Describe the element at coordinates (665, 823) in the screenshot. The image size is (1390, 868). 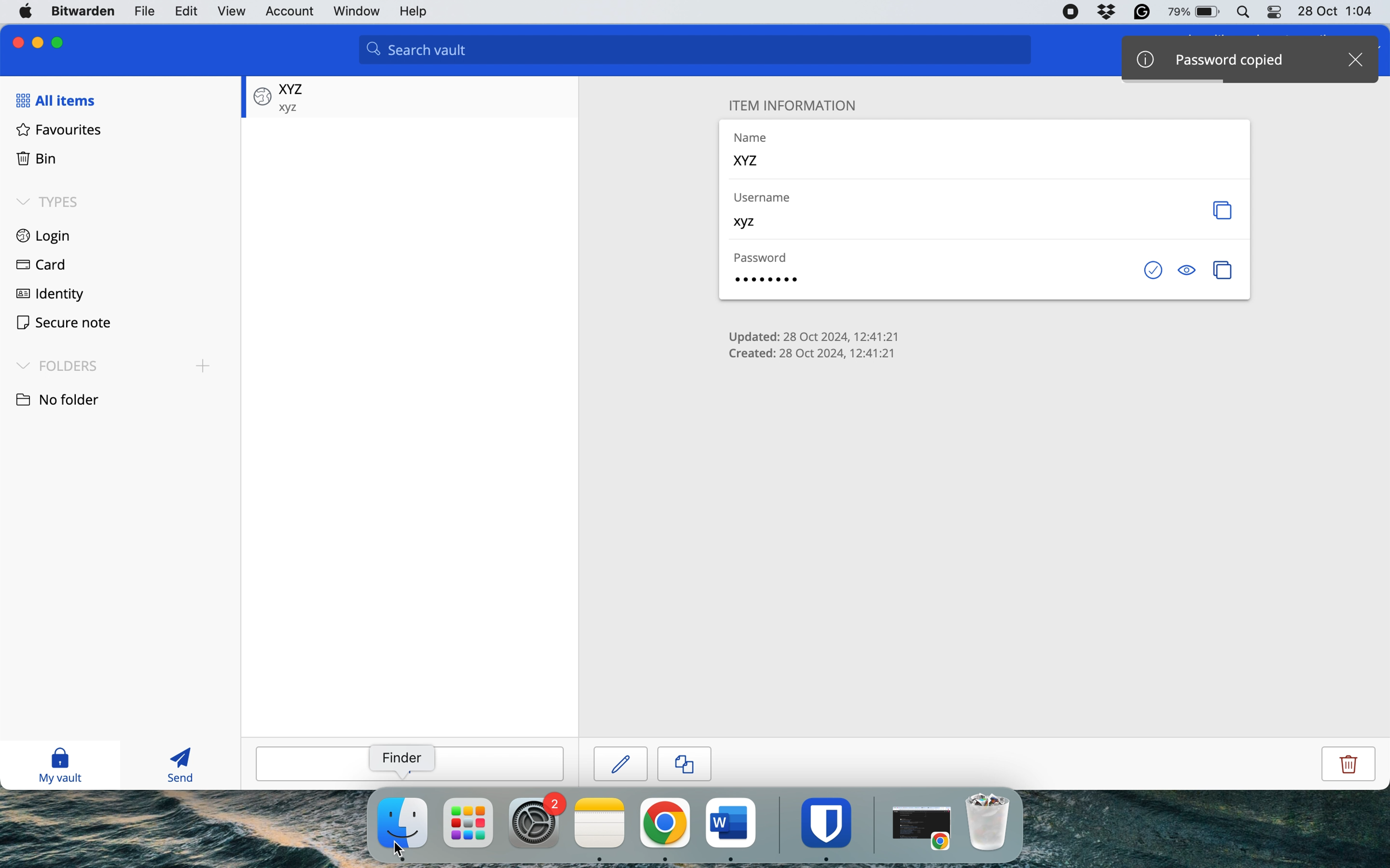
I see `chrome` at that location.